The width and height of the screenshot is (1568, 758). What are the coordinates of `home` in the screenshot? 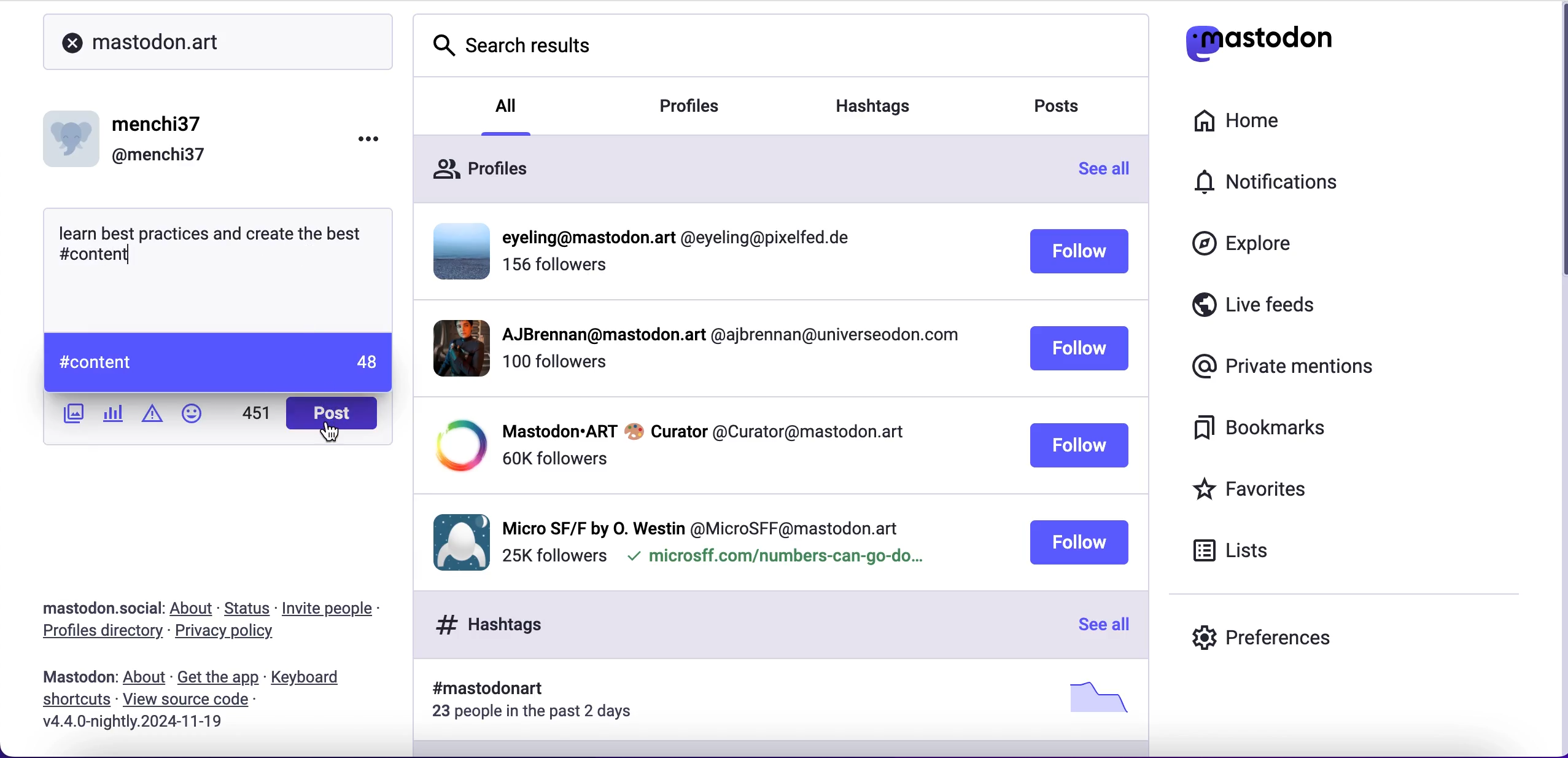 It's located at (1252, 122).